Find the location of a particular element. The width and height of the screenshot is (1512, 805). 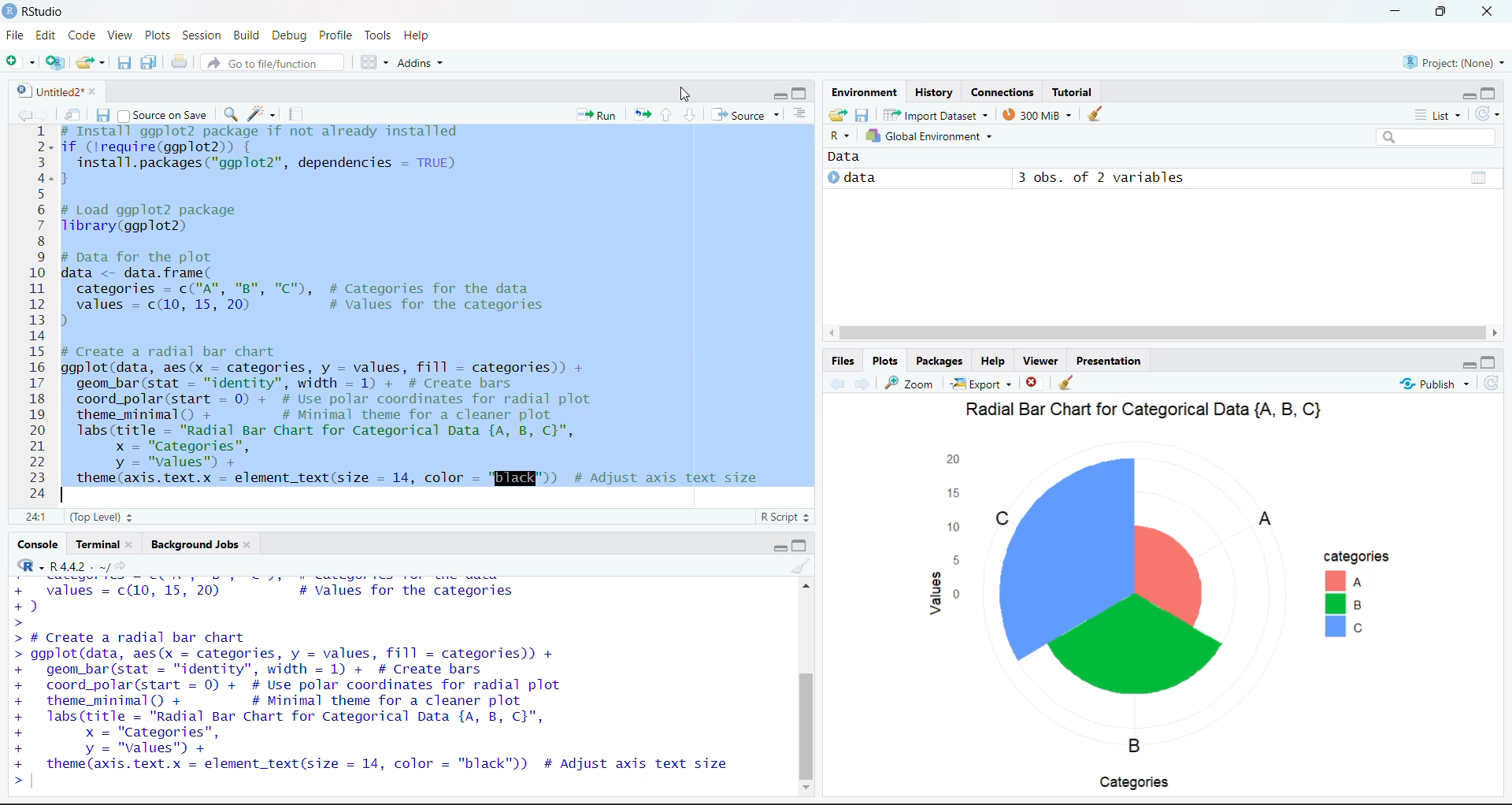

Edit is located at coordinates (45, 37).